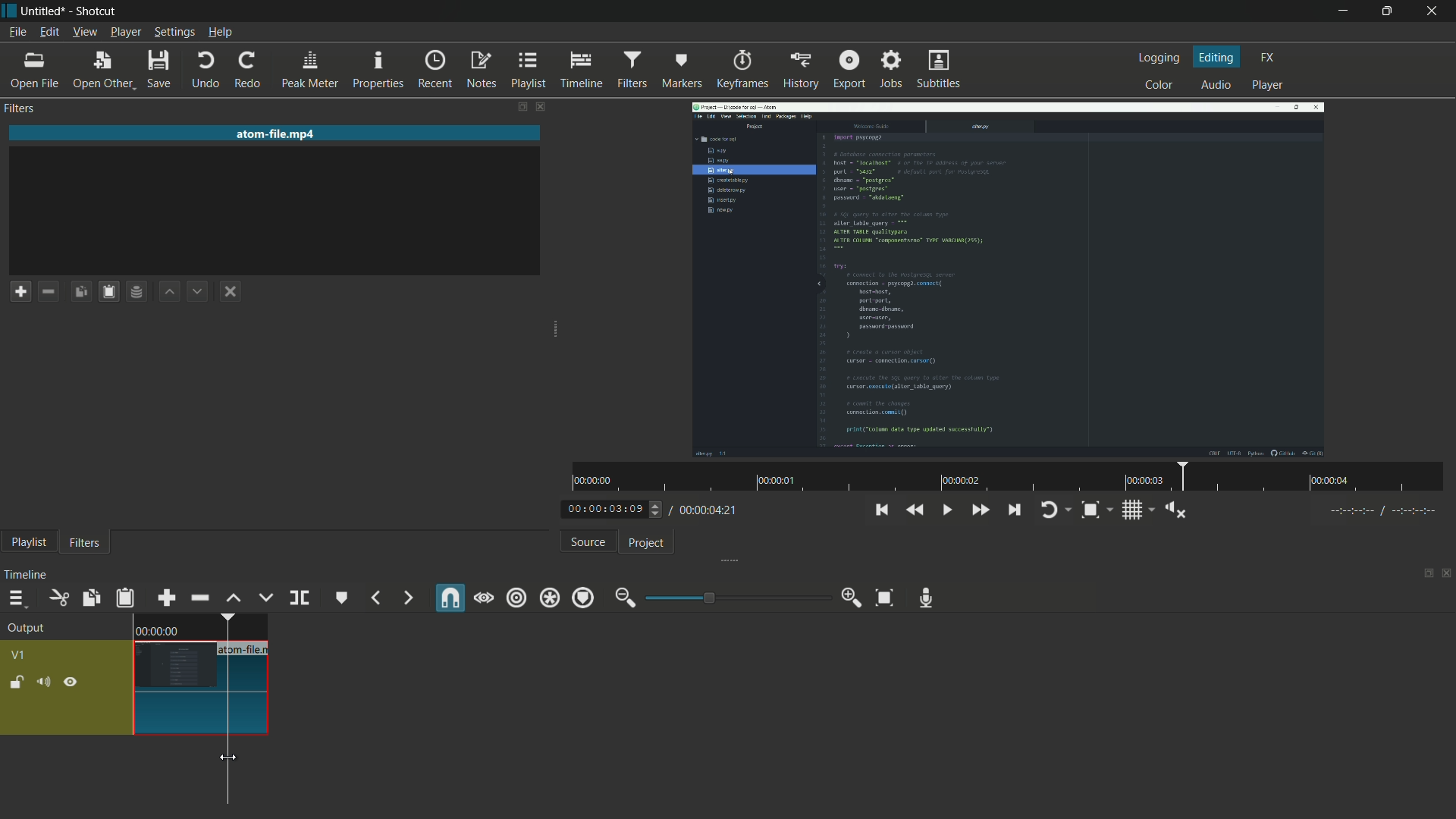 The image size is (1456, 819). Describe the element at coordinates (584, 598) in the screenshot. I see `ripple markers` at that location.